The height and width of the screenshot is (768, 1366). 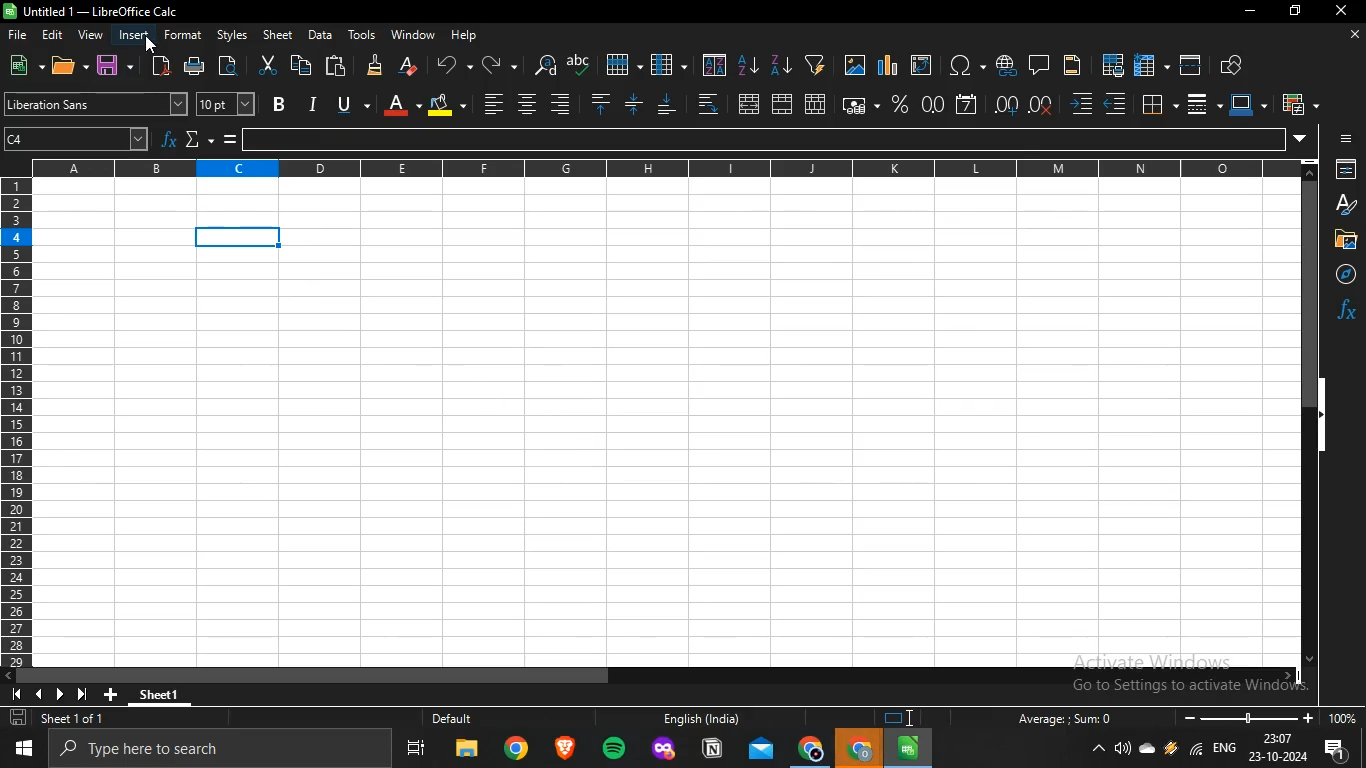 What do you see at coordinates (1340, 274) in the screenshot?
I see `navigator` at bounding box center [1340, 274].